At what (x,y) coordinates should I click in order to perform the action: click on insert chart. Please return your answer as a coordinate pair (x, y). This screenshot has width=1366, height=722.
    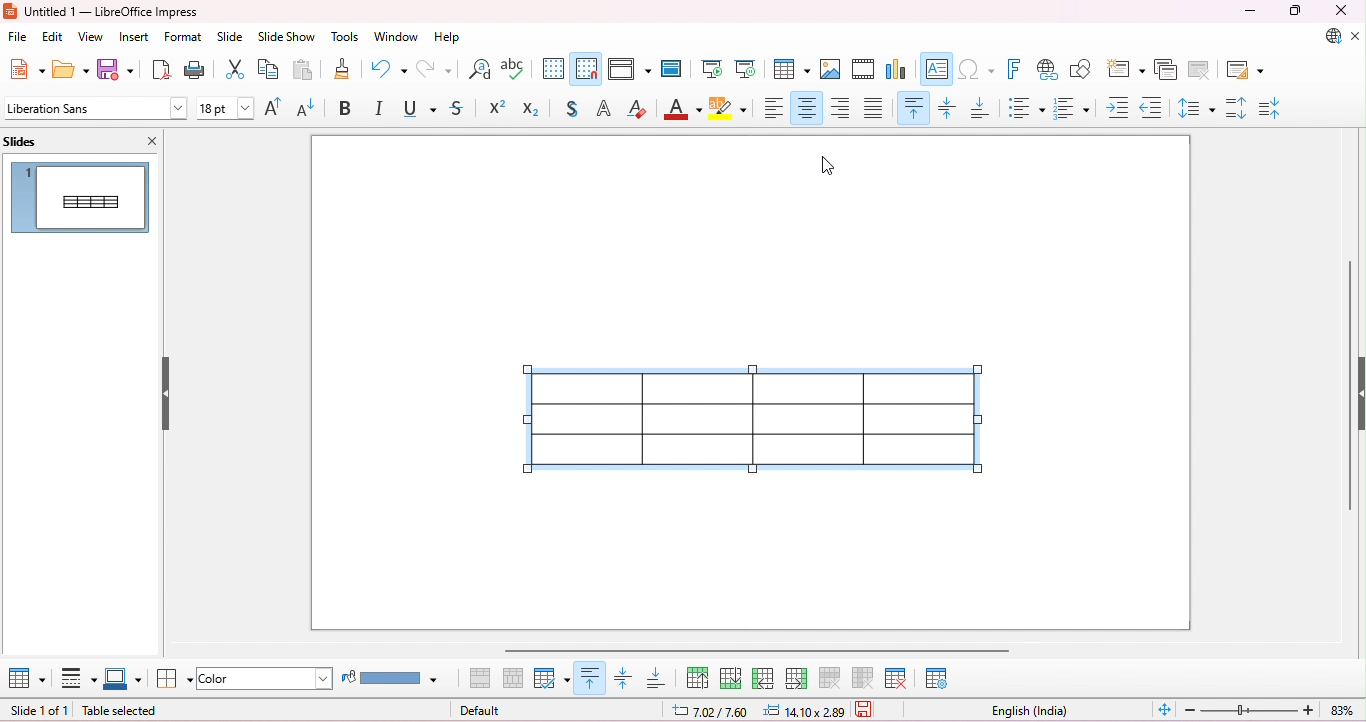
    Looking at the image, I should click on (896, 70).